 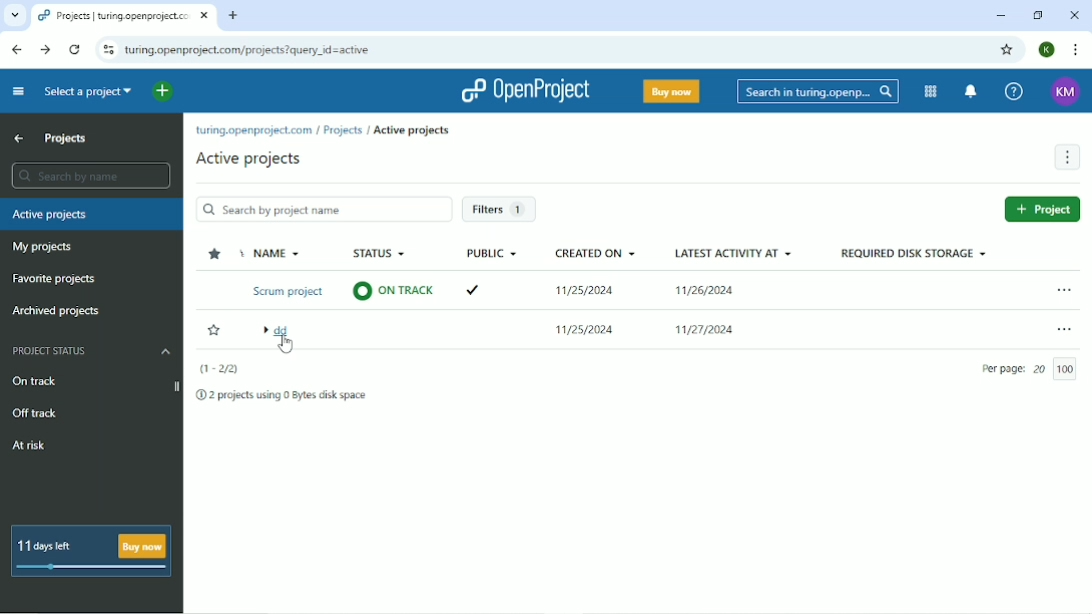 What do you see at coordinates (1012, 93) in the screenshot?
I see `Help` at bounding box center [1012, 93].